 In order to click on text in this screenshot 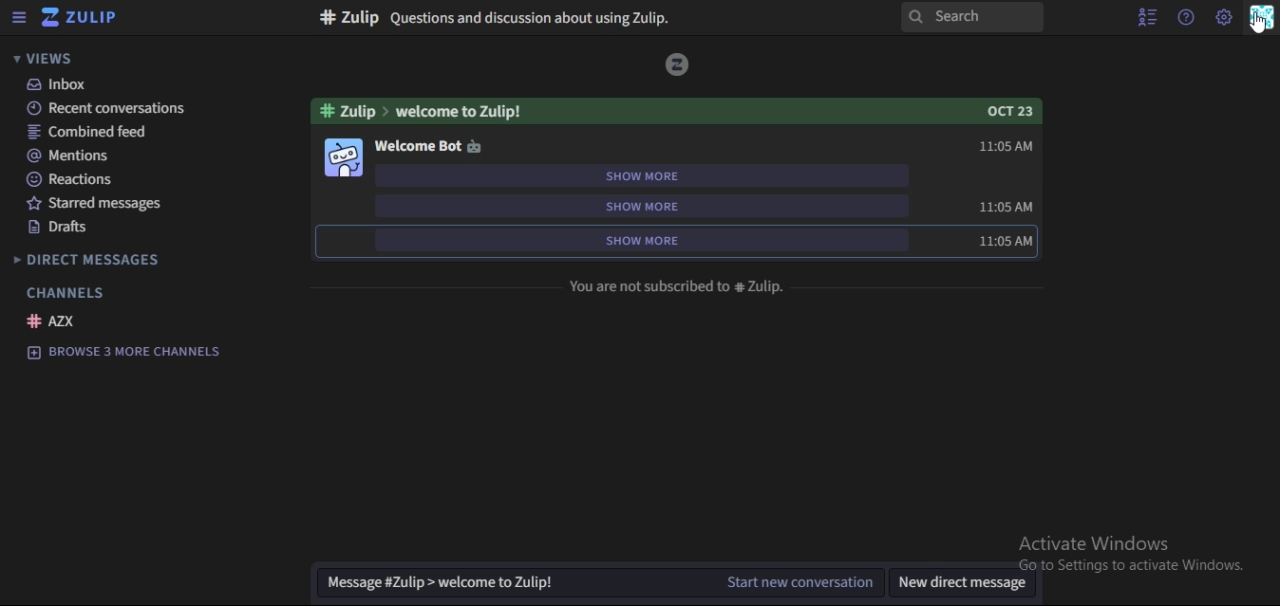, I will do `click(489, 19)`.